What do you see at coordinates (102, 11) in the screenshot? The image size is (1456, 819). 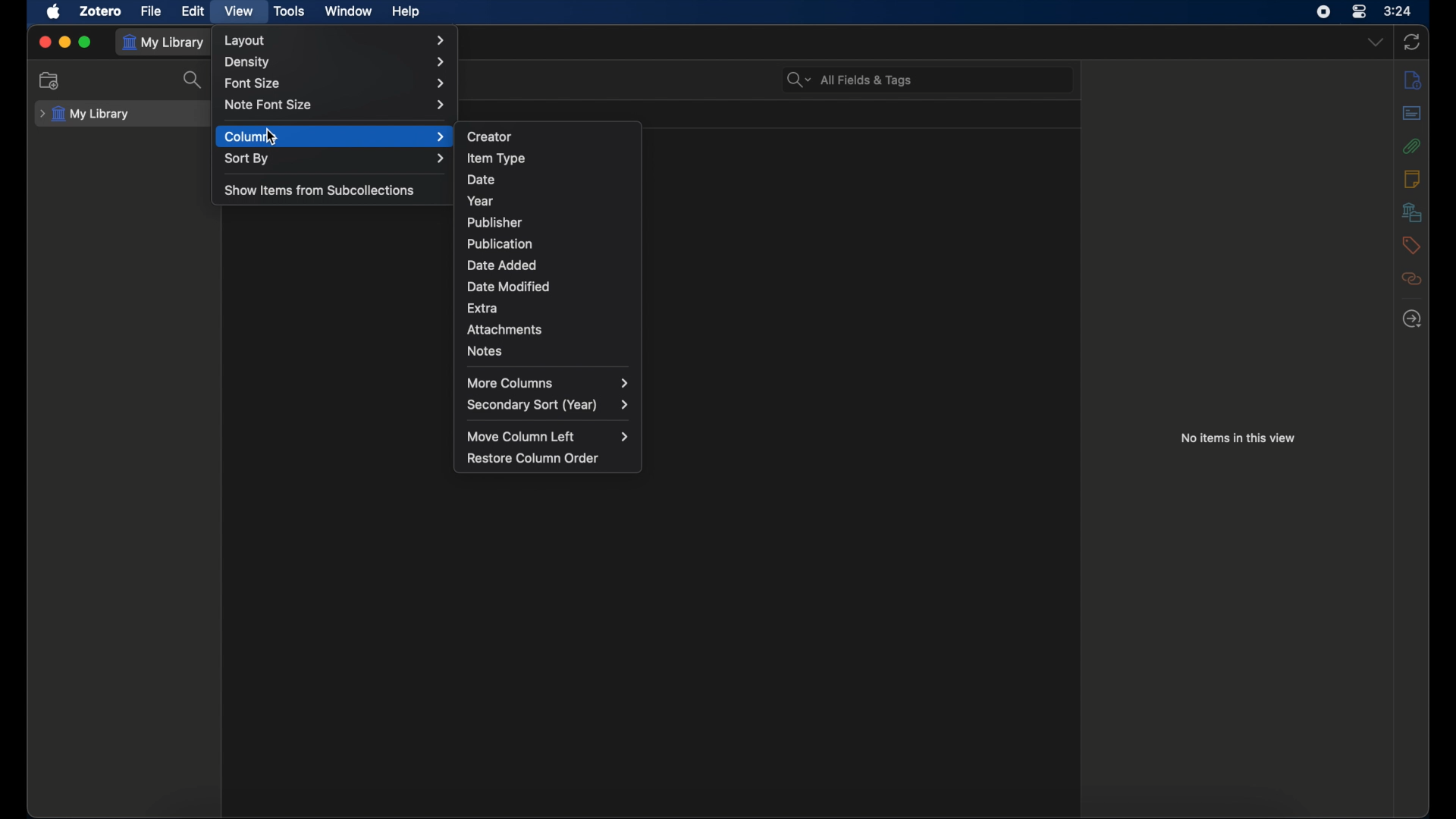 I see `zotero` at bounding box center [102, 11].